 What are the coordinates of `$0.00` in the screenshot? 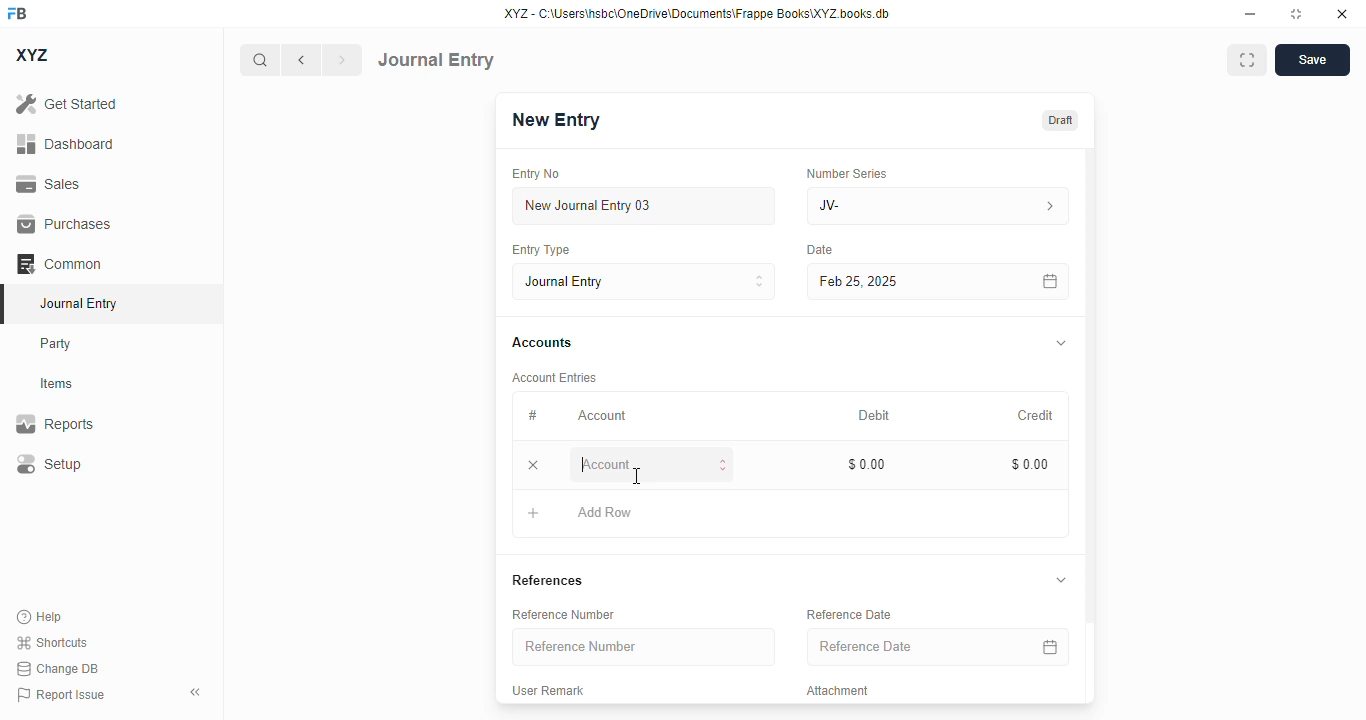 It's located at (868, 464).